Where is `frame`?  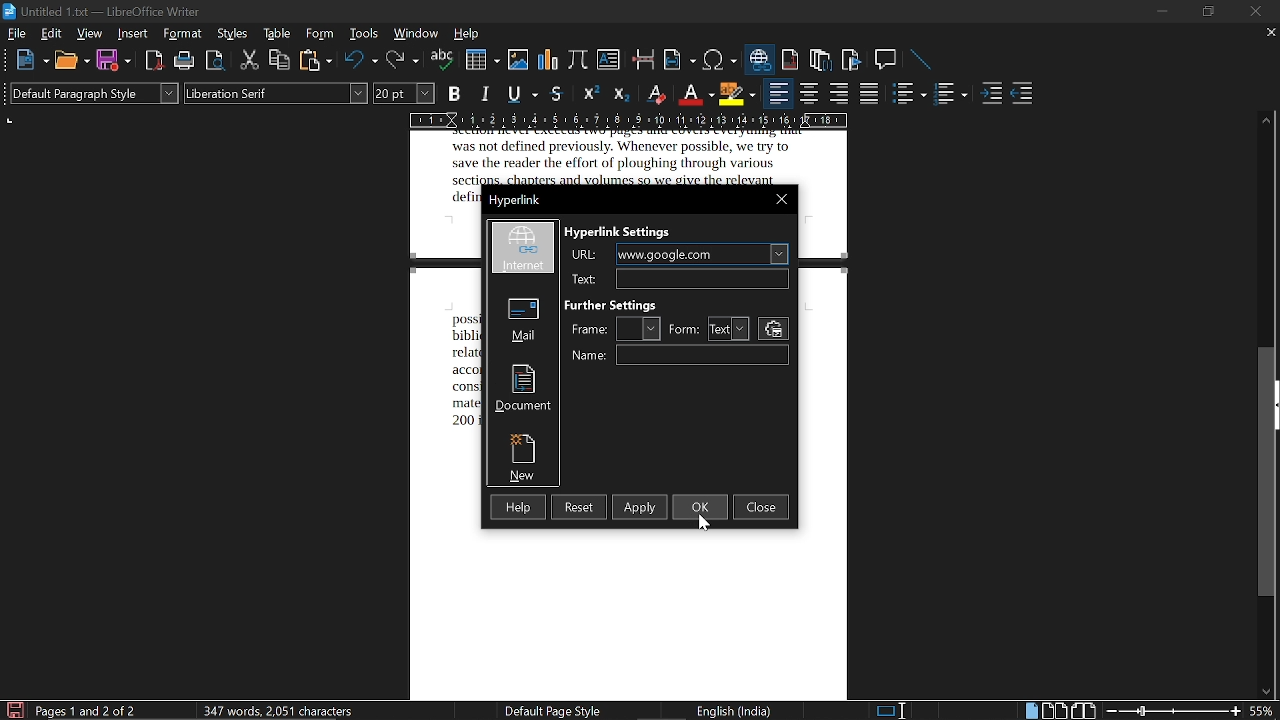 frame is located at coordinates (590, 331).